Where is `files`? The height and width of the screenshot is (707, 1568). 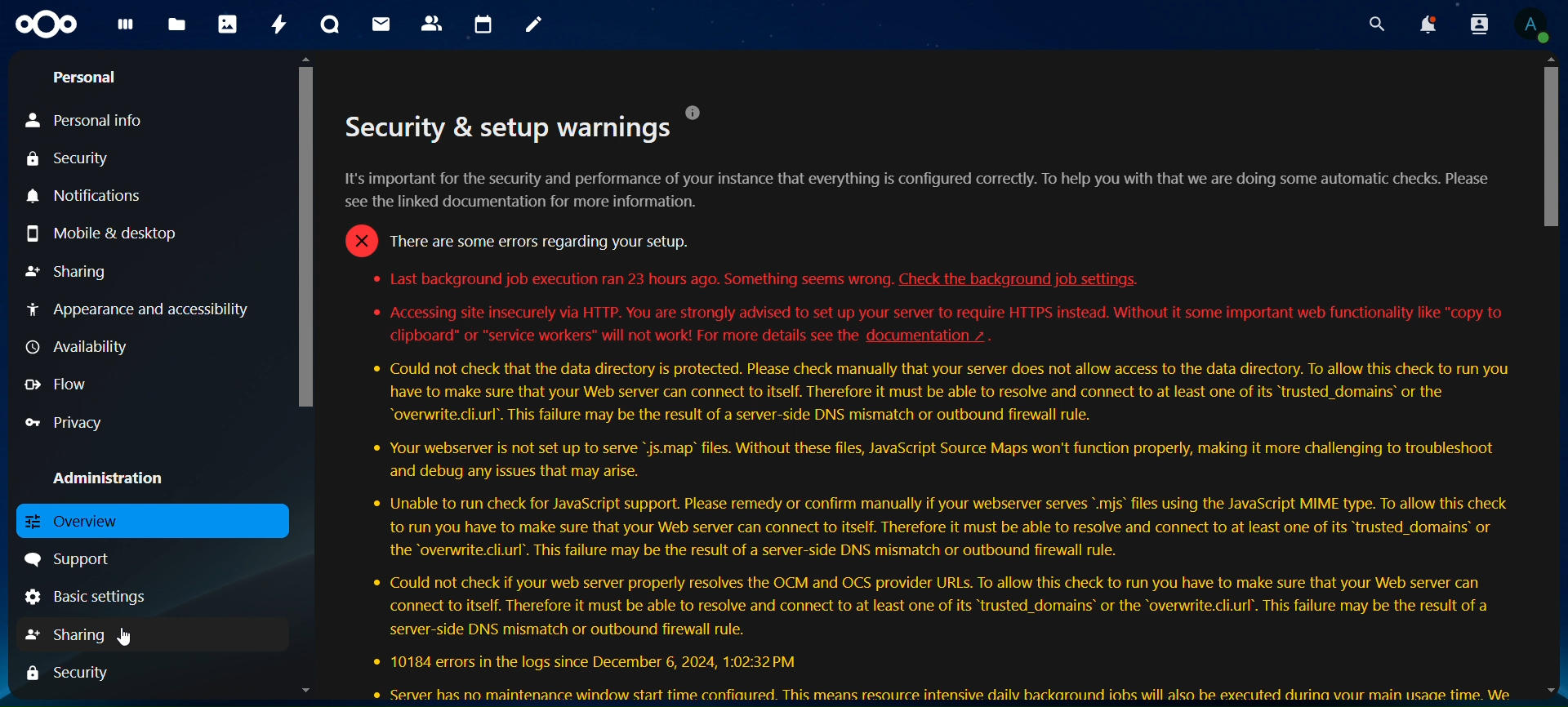
files is located at coordinates (176, 25).